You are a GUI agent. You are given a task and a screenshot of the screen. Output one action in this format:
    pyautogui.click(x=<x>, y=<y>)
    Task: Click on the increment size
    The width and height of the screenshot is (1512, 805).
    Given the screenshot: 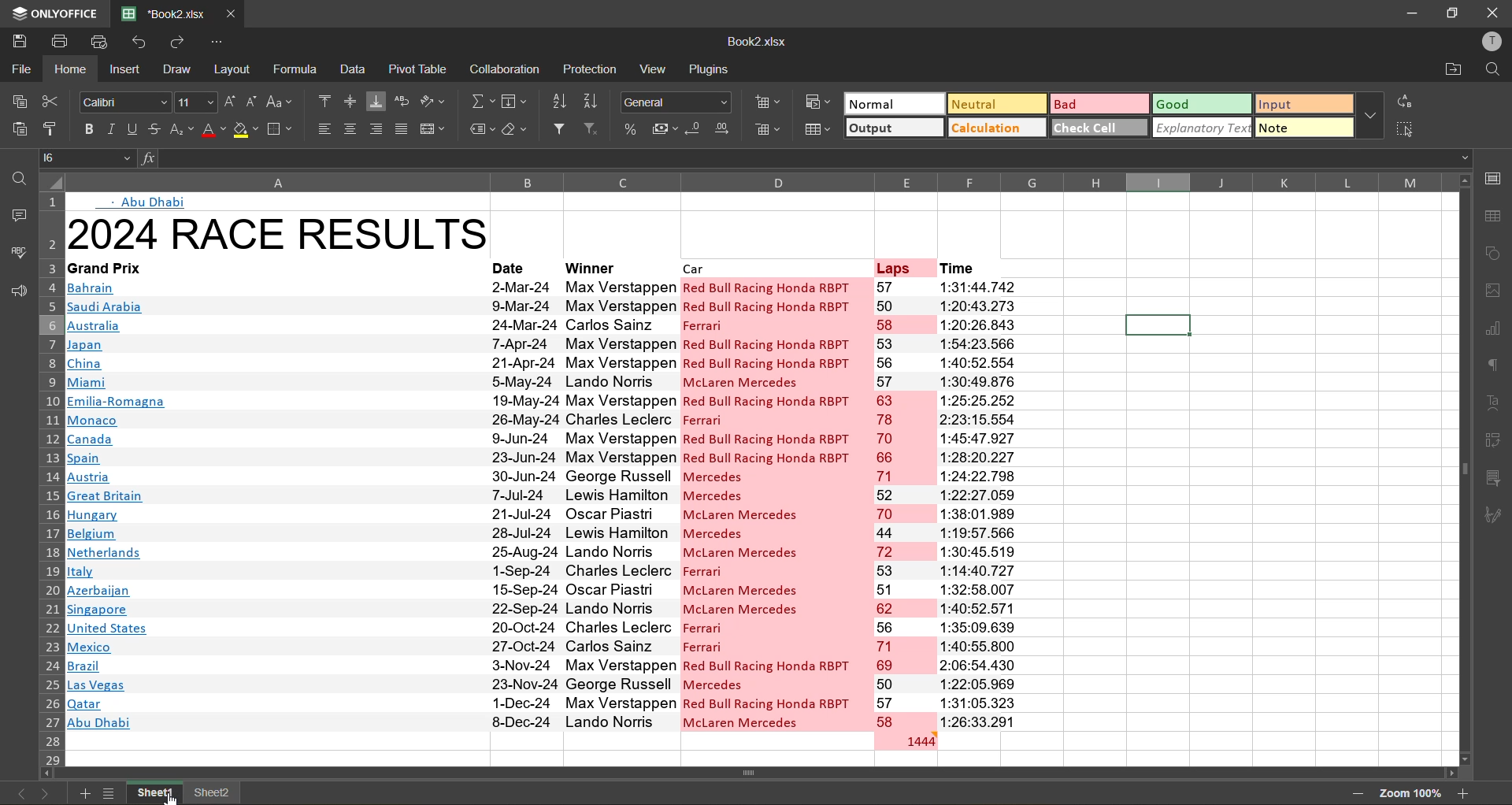 What is the action you would take?
    pyautogui.click(x=230, y=104)
    